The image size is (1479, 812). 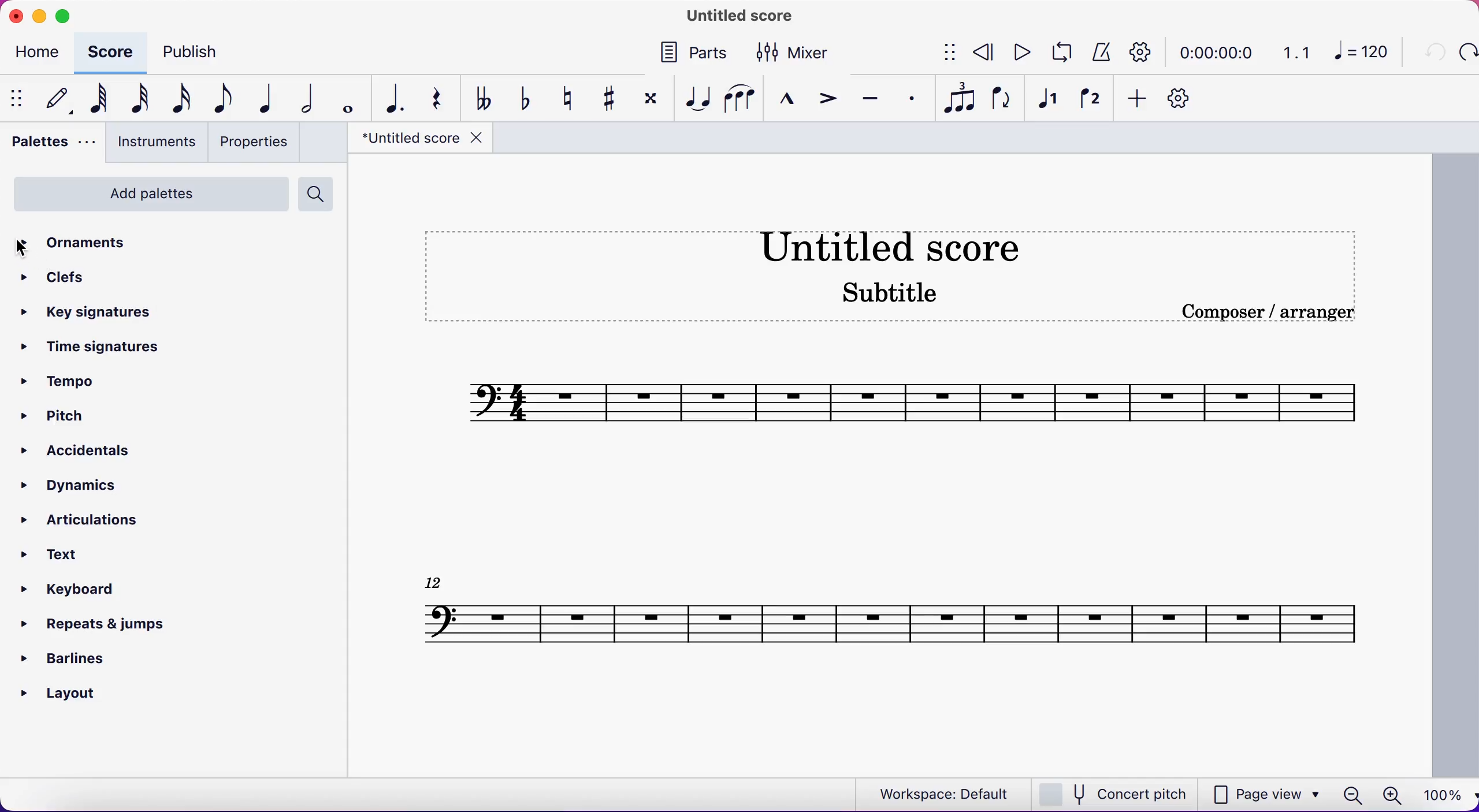 I want to click on marcato, so click(x=789, y=99).